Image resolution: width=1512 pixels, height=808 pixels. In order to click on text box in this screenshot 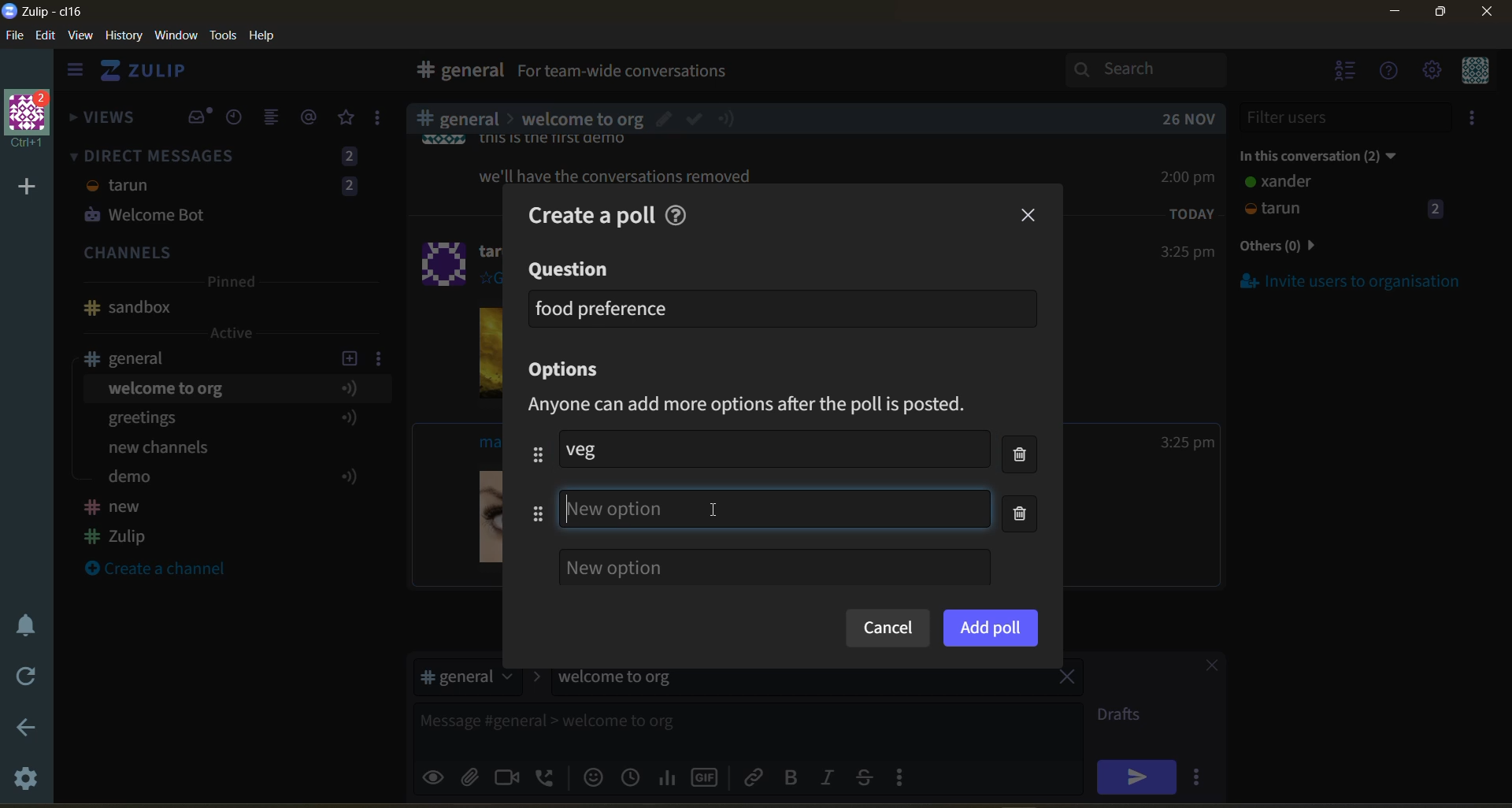, I will do `click(707, 727)`.